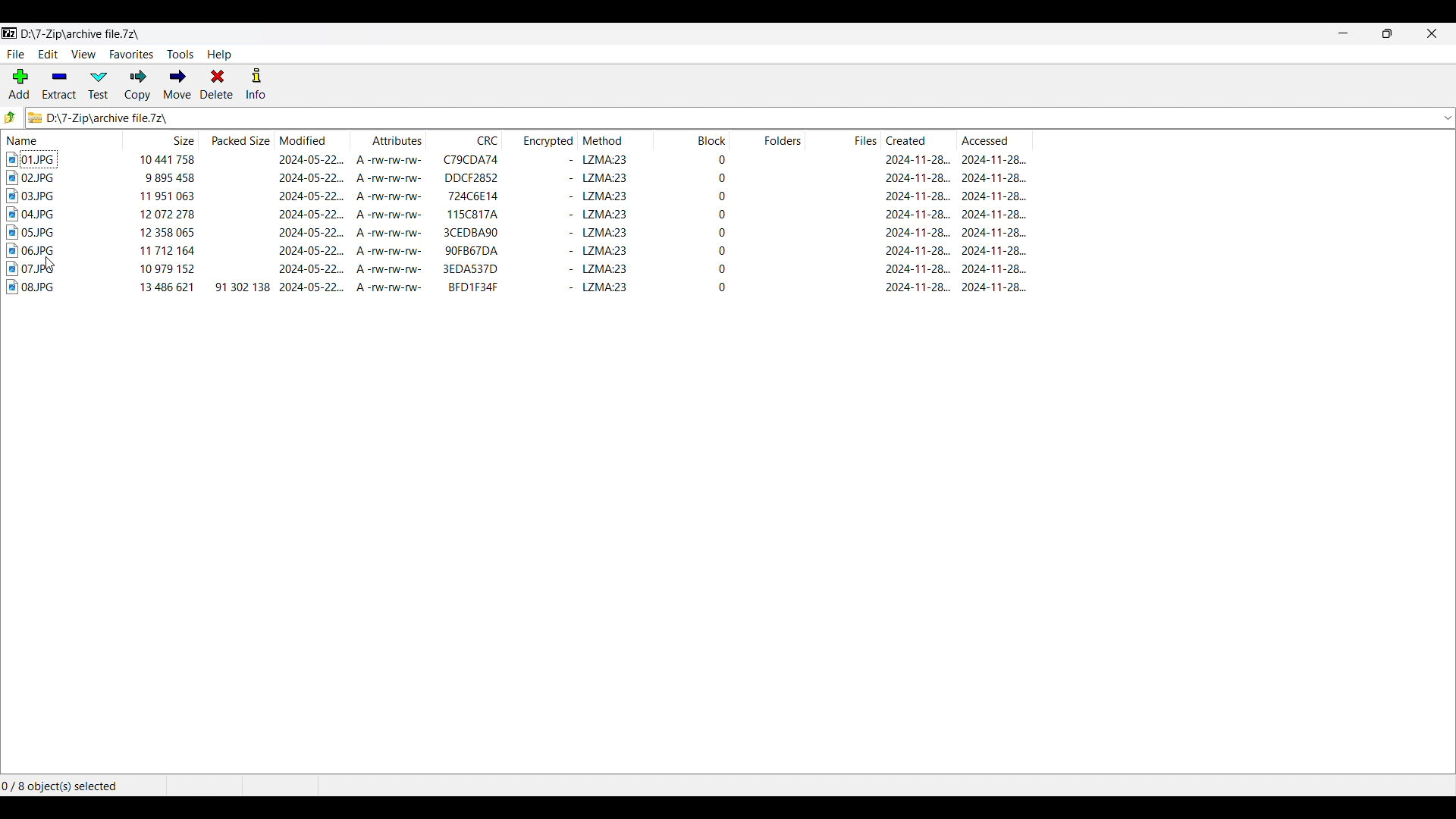 Image resolution: width=1456 pixels, height=819 pixels. What do you see at coordinates (167, 232) in the screenshot?
I see `size` at bounding box center [167, 232].